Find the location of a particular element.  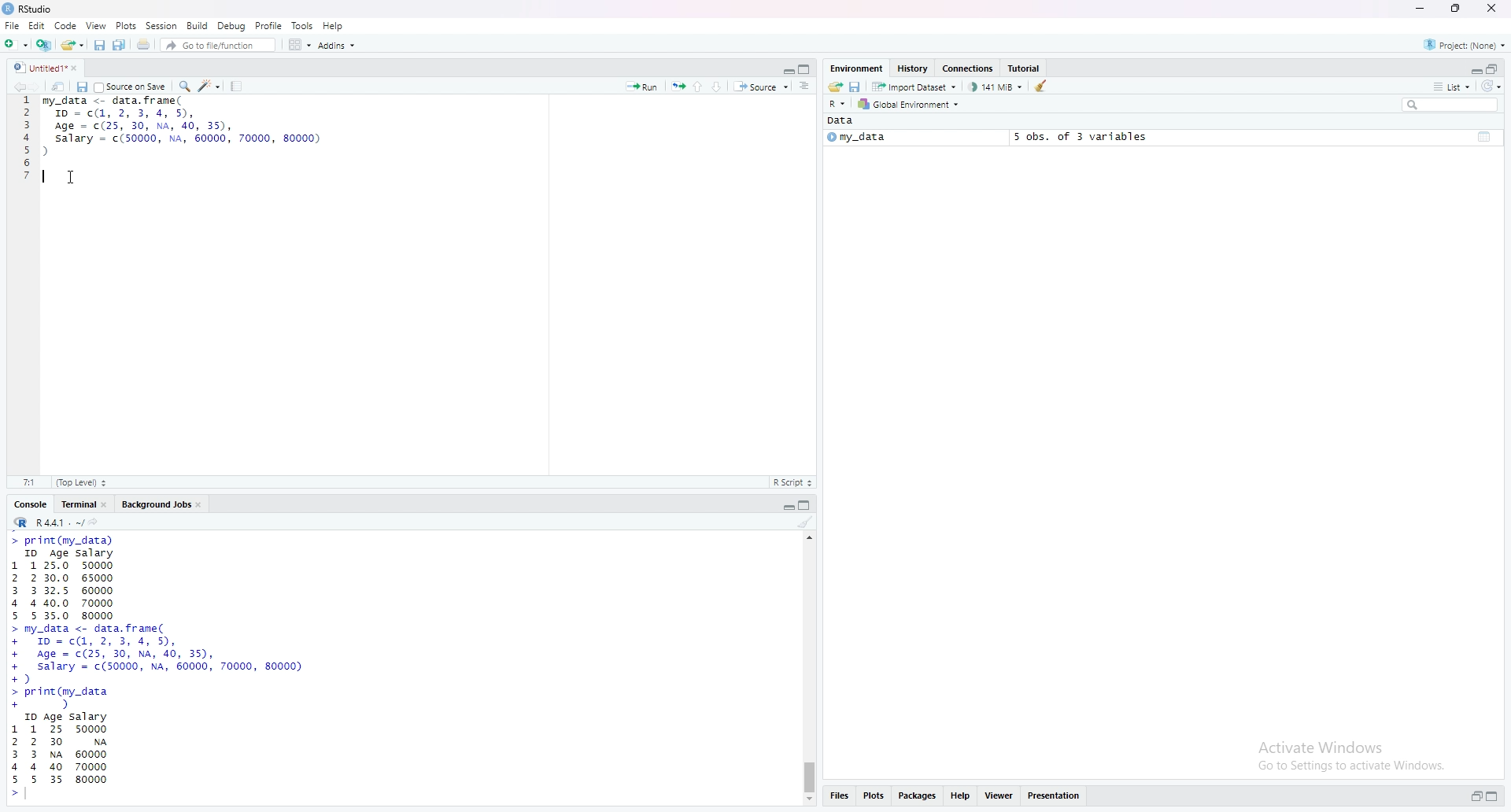

141 MB is located at coordinates (997, 87).